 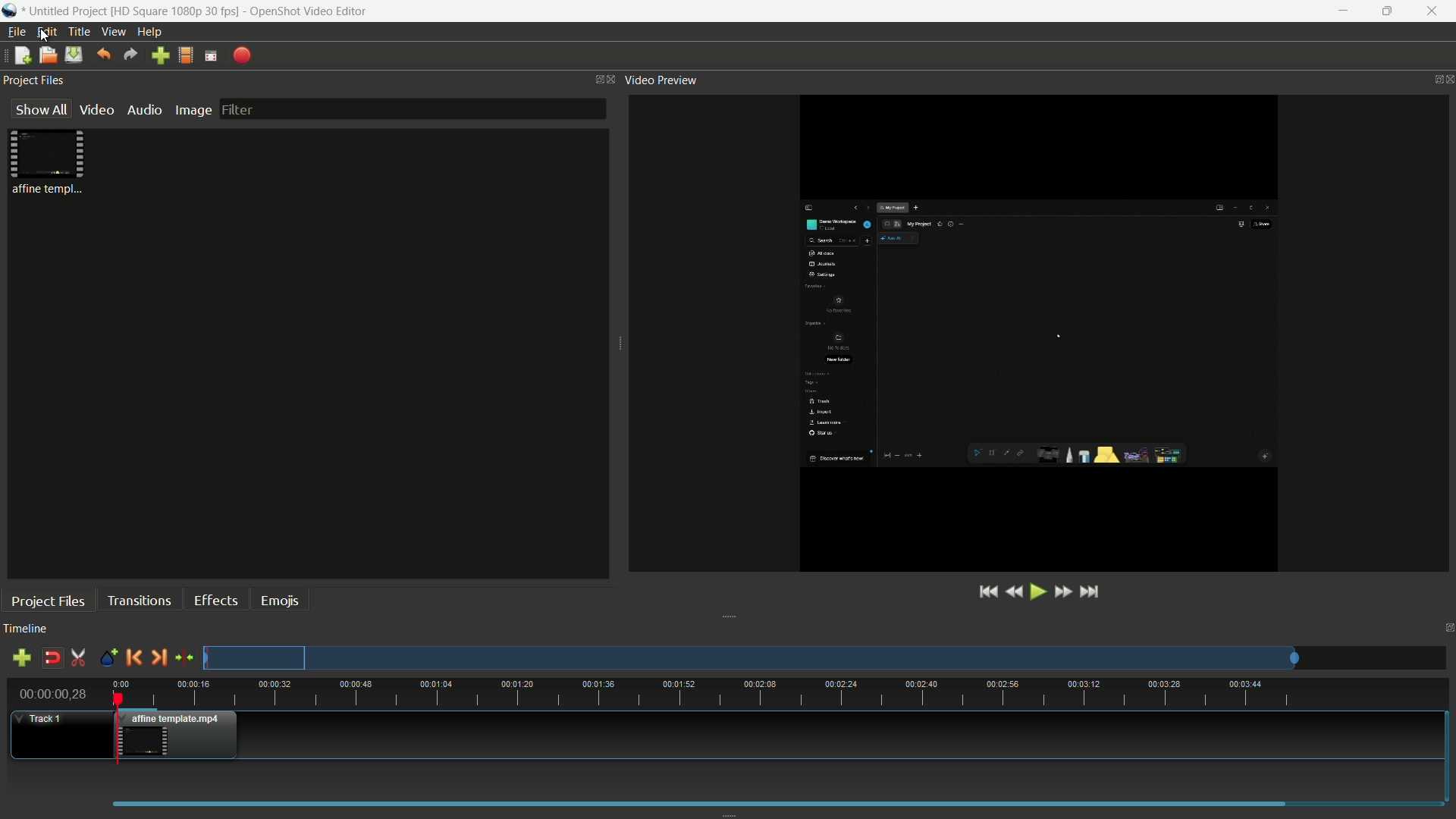 What do you see at coordinates (750, 657) in the screenshot?
I see `preview track` at bounding box center [750, 657].